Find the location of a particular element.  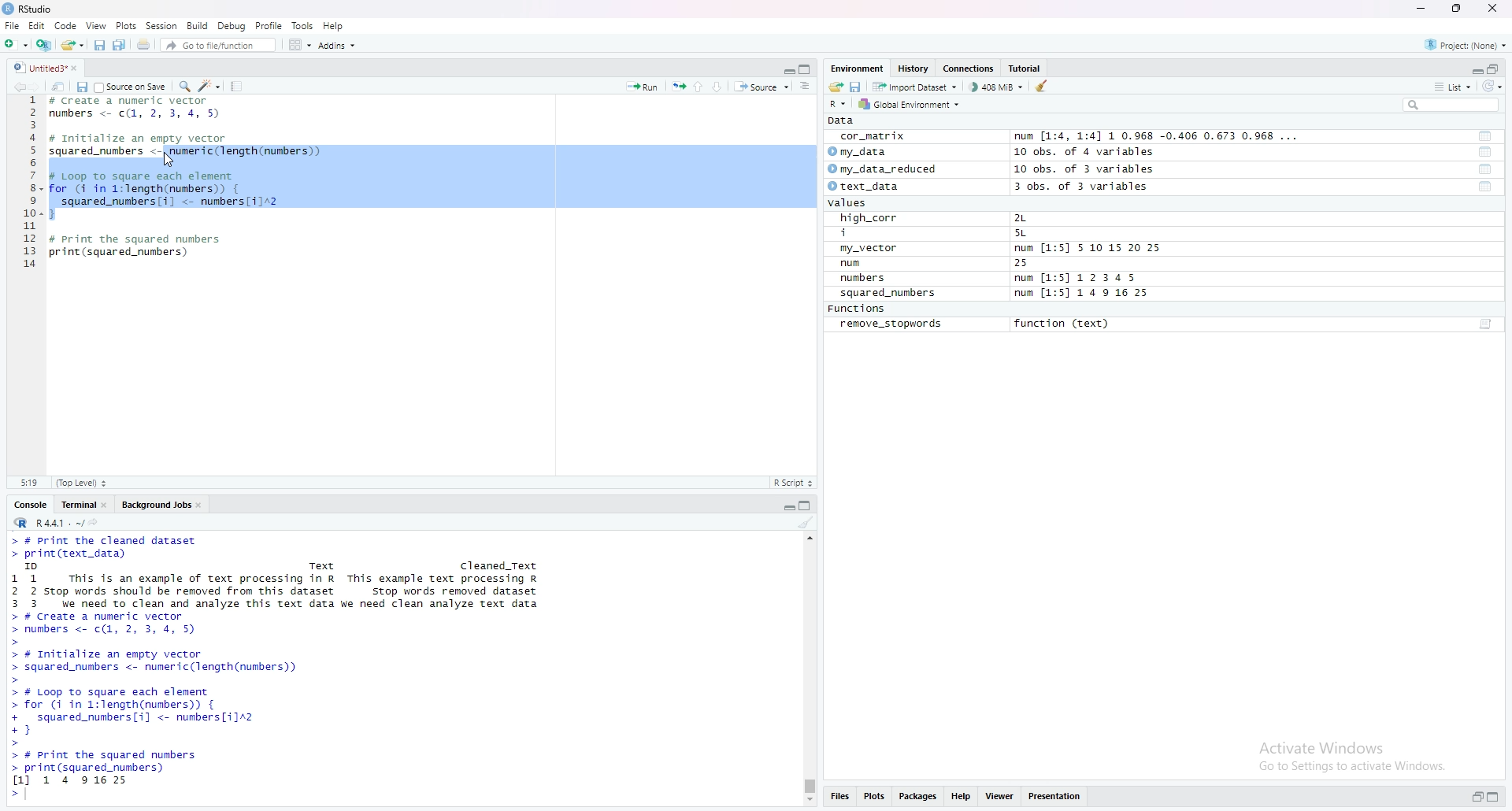

compile report is located at coordinates (236, 86).